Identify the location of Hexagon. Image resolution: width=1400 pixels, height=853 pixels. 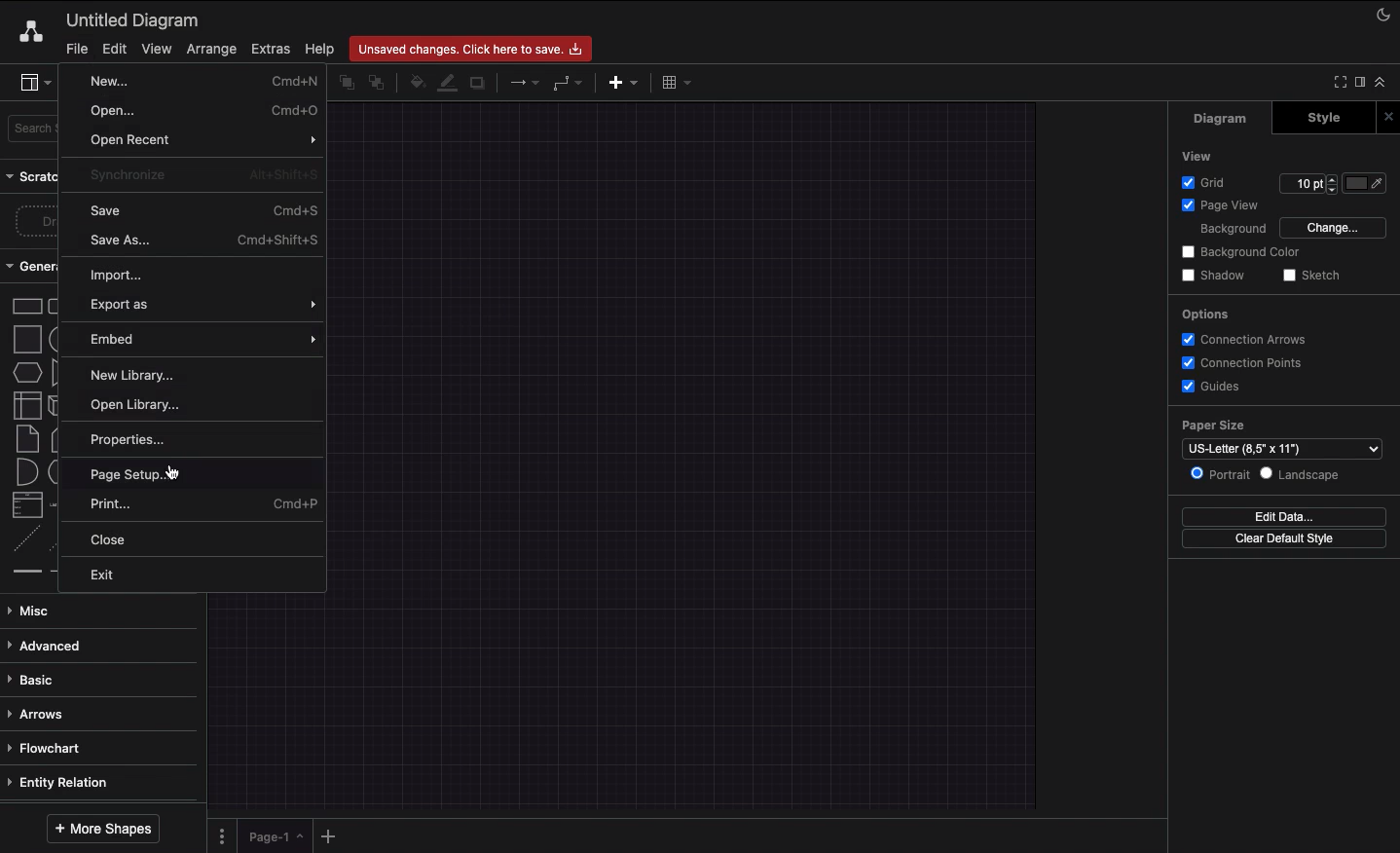
(26, 373).